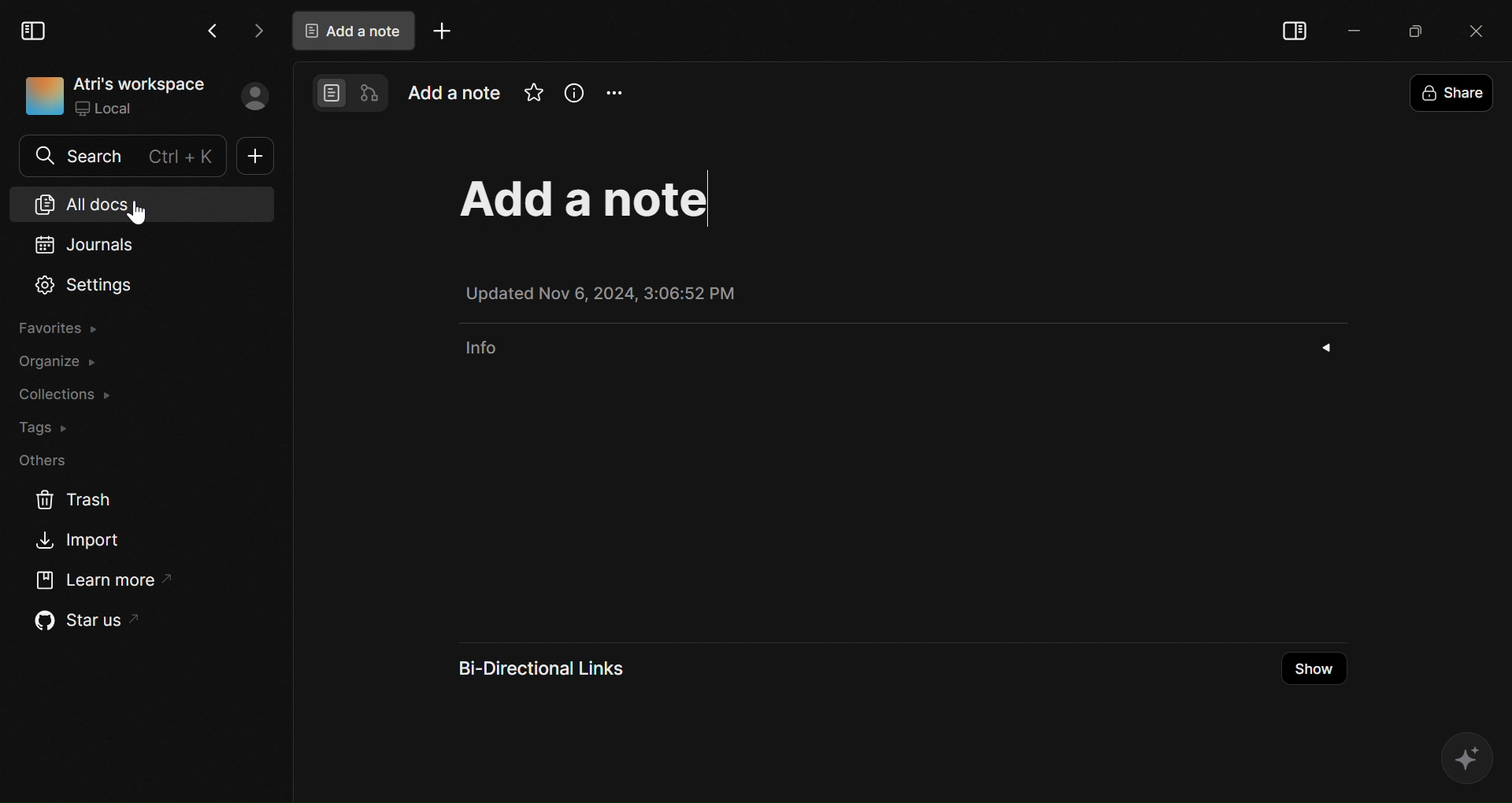  Describe the element at coordinates (1314, 667) in the screenshot. I see `Show` at that location.